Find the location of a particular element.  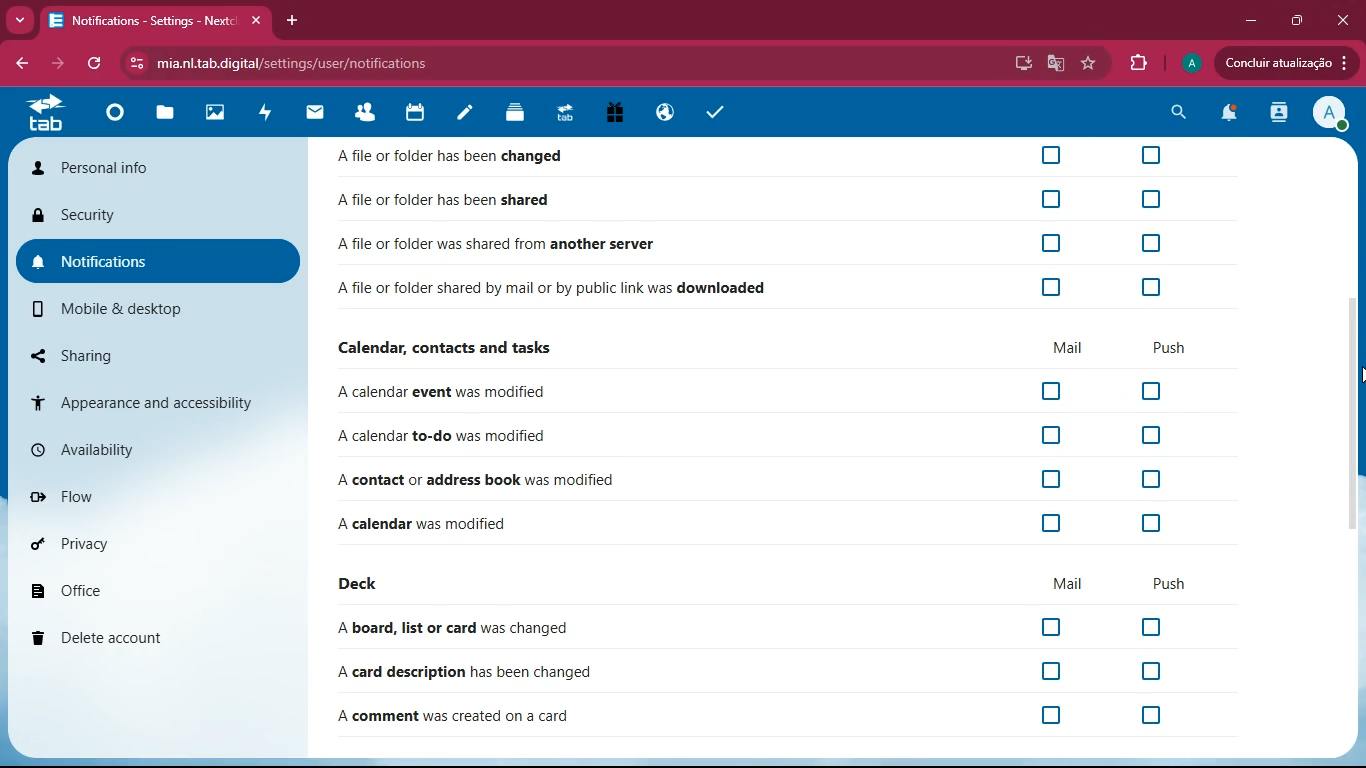

google translate is located at coordinates (1053, 65).